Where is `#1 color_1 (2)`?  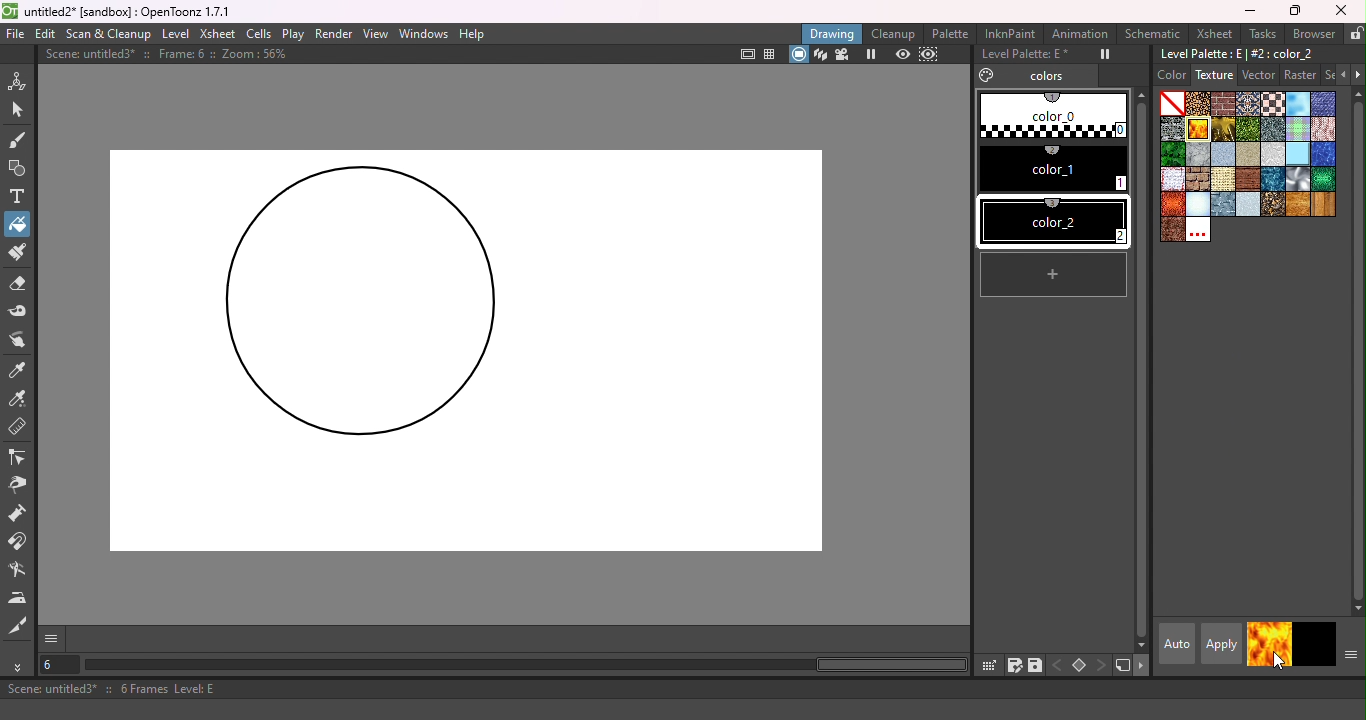
#1 color_1 (2) is located at coordinates (1049, 170).